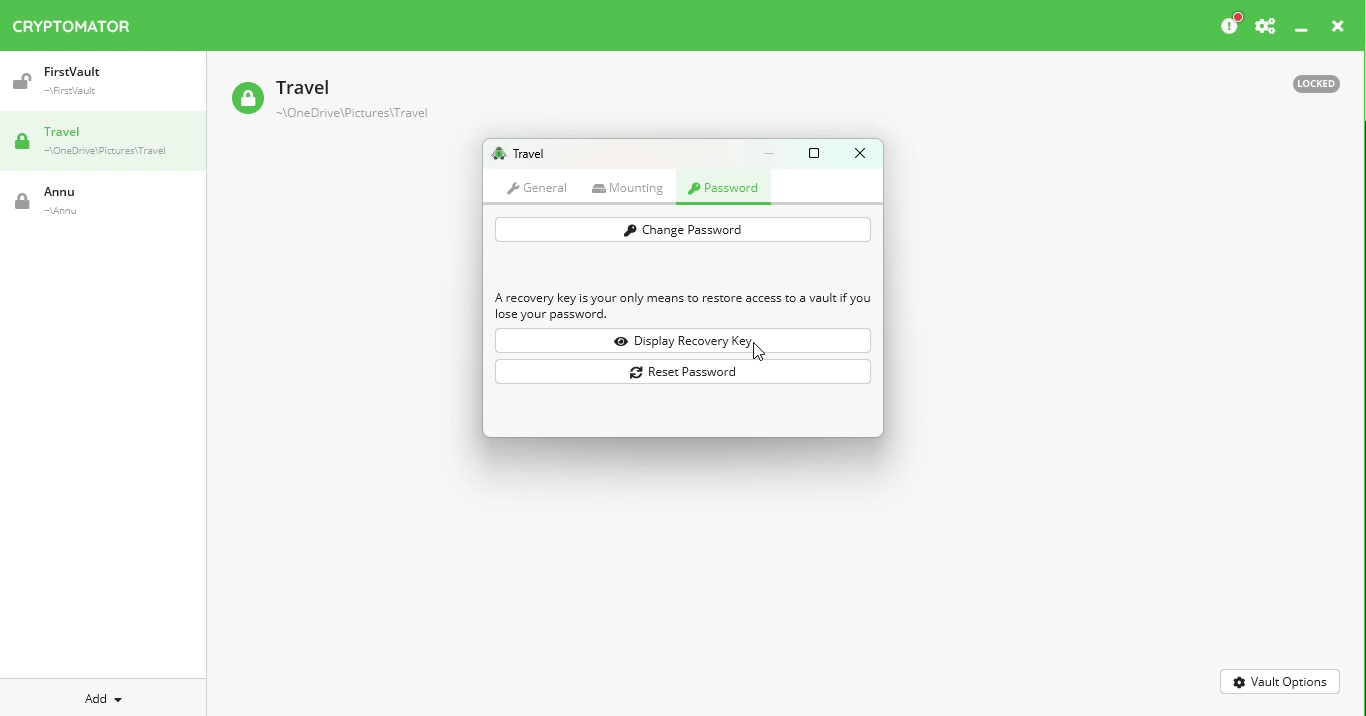  What do you see at coordinates (727, 190) in the screenshot?
I see `mouse on Password` at bounding box center [727, 190].